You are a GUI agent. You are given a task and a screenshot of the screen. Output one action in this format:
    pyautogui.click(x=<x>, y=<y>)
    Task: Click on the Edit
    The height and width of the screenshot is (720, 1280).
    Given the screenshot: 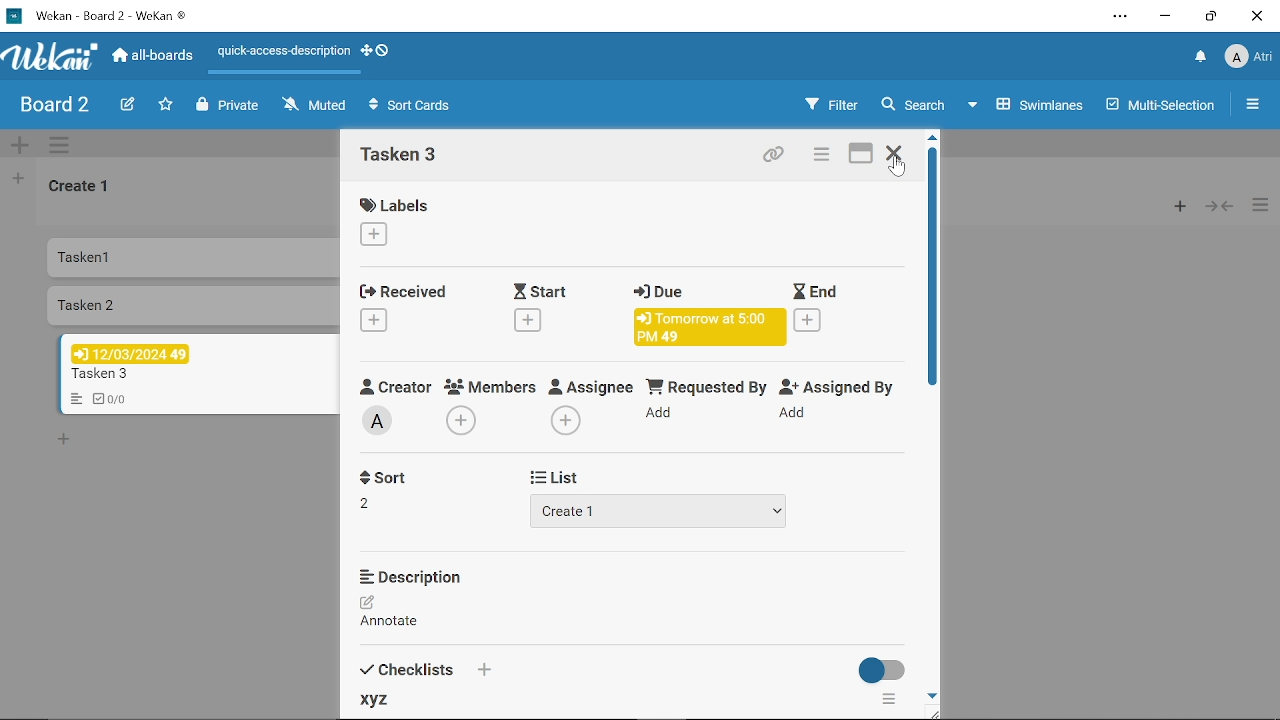 What is the action you would take?
    pyautogui.click(x=127, y=103)
    